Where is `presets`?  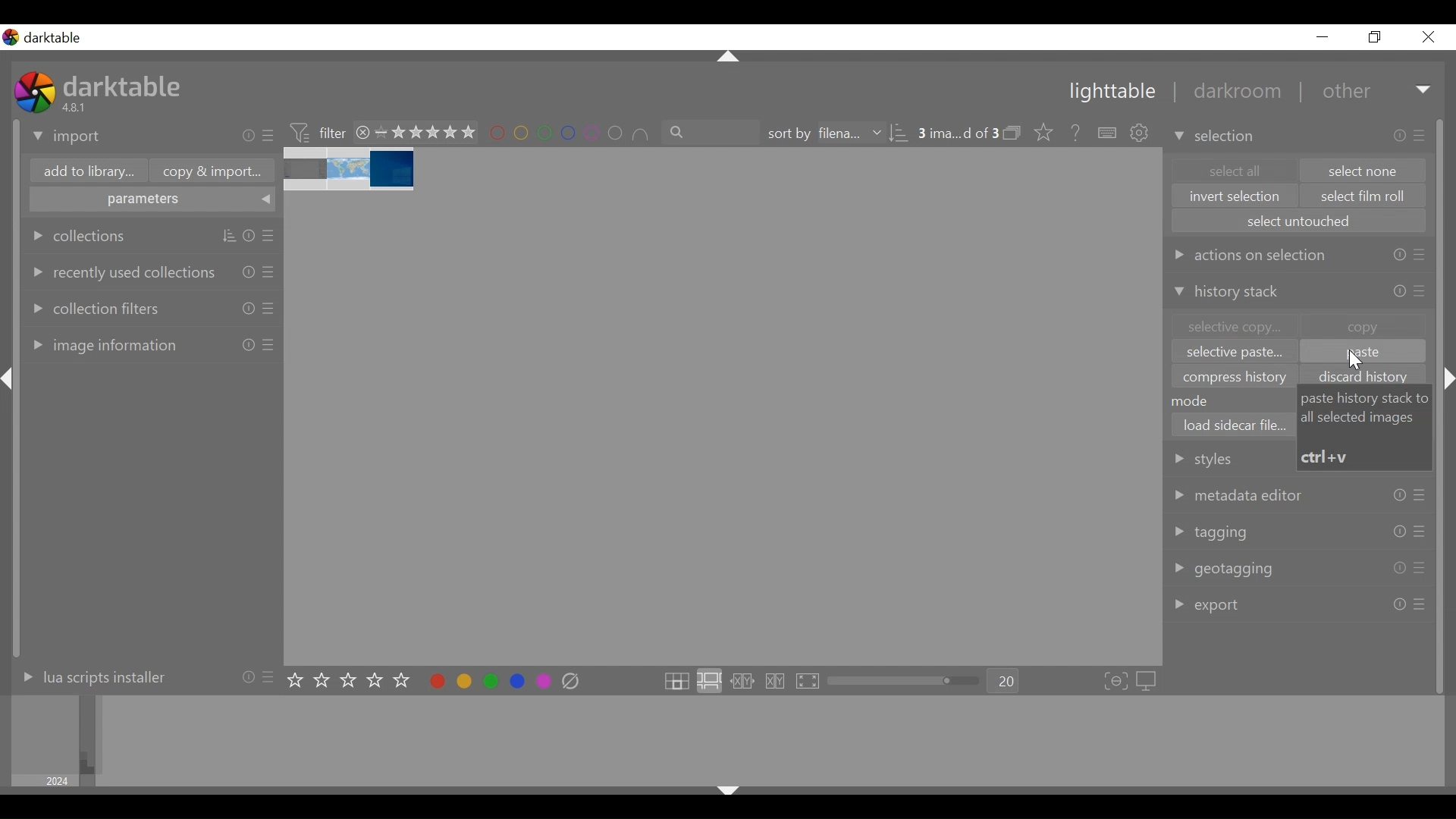 presets is located at coordinates (1420, 497).